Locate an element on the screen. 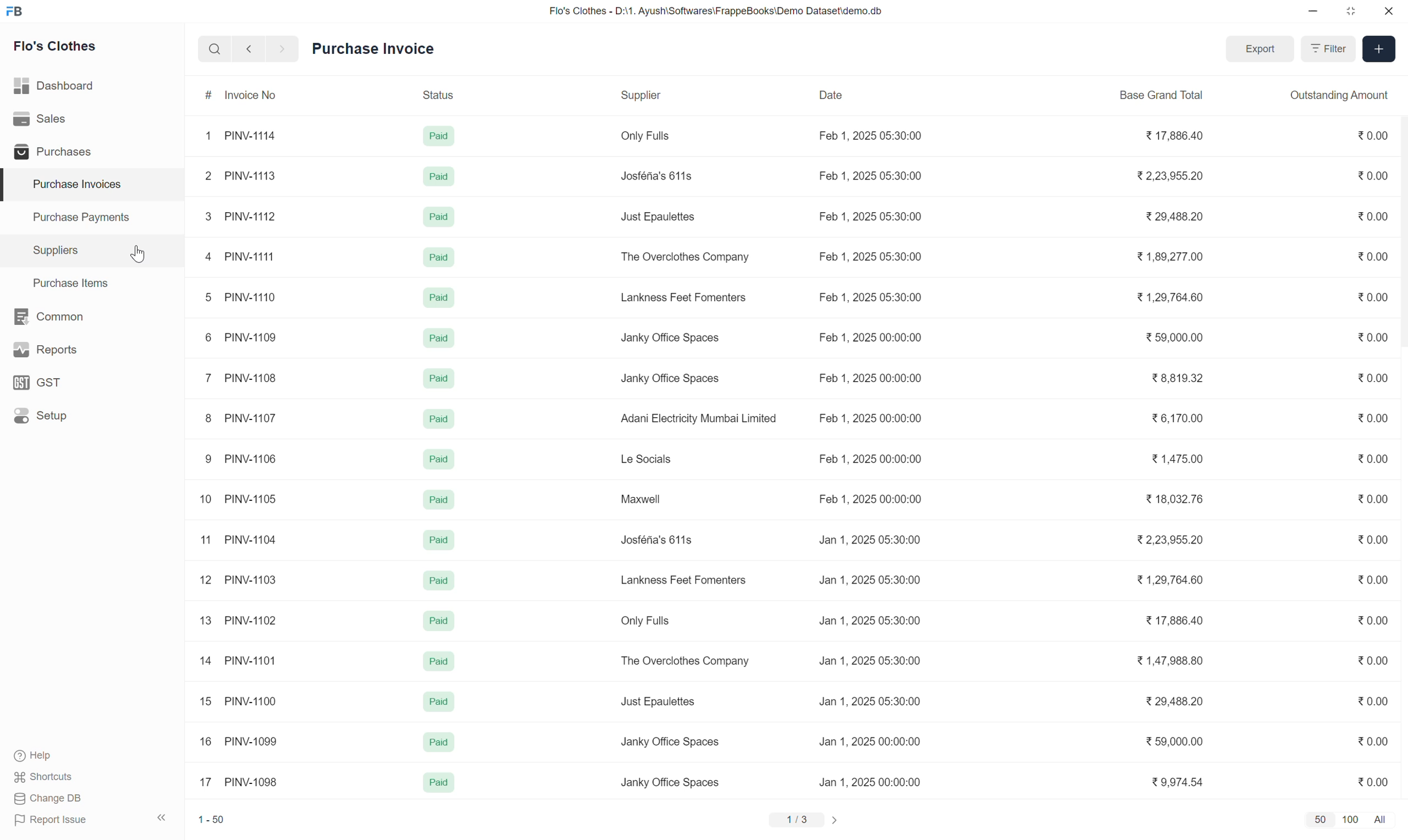 This screenshot has width=1408, height=840. Help is located at coordinates (34, 757).